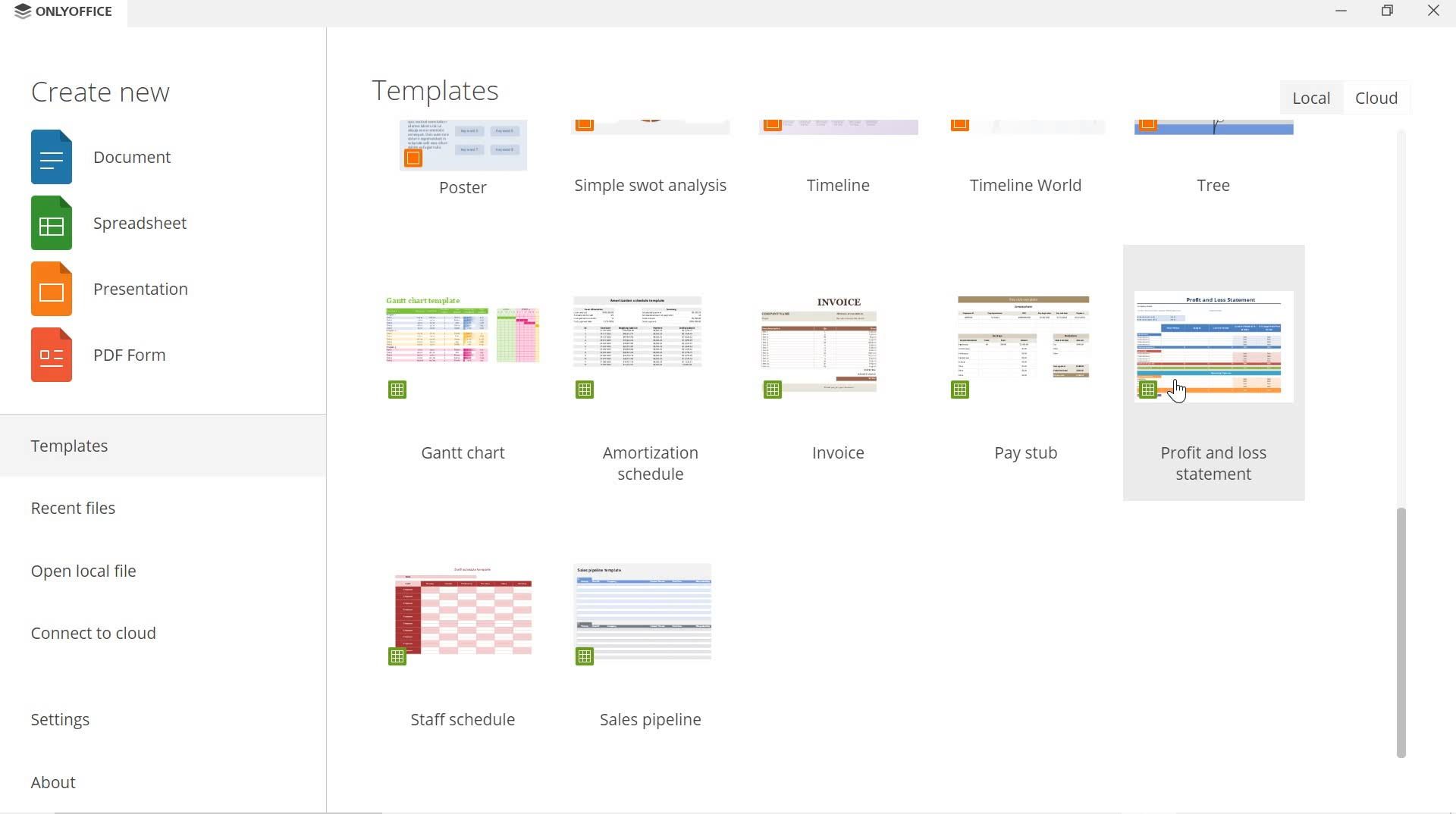 This screenshot has width=1456, height=814. I want to click on Template design, so click(643, 346).